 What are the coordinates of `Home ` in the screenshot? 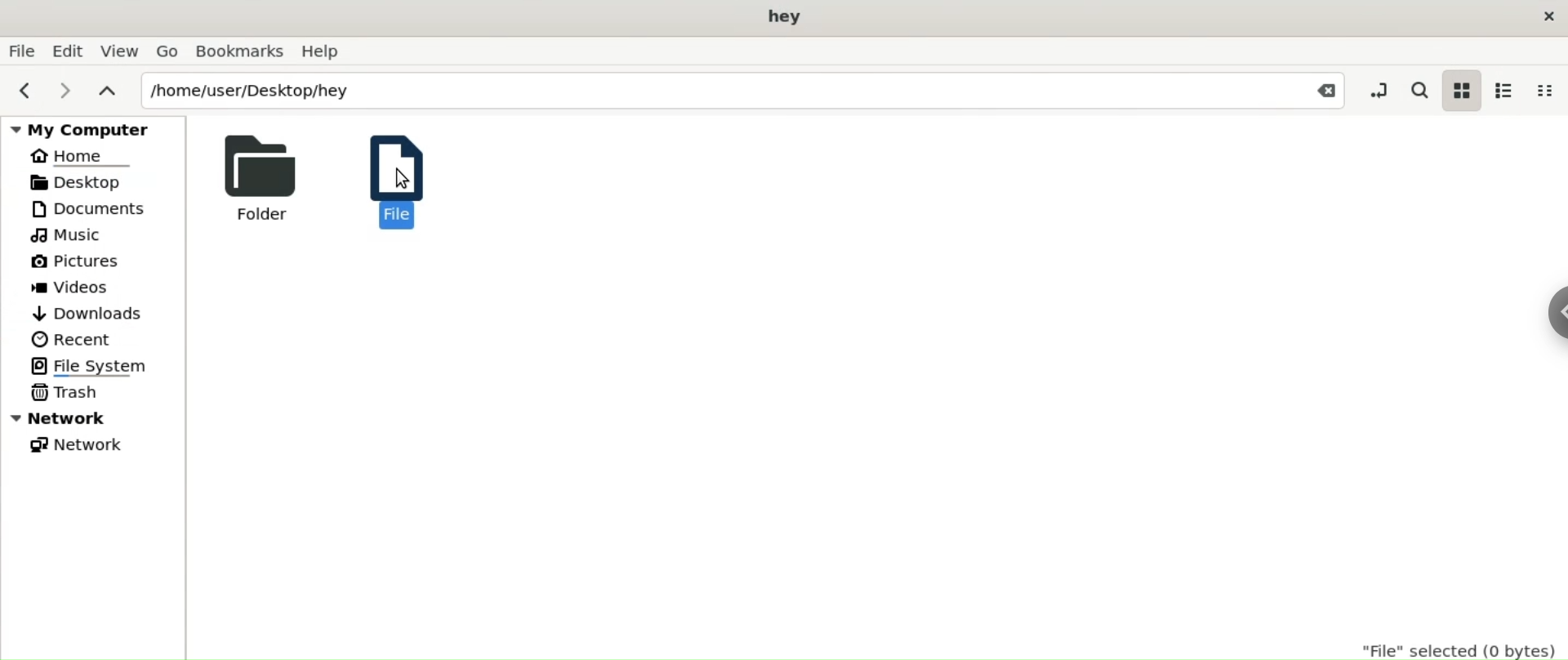 It's located at (71, 156).